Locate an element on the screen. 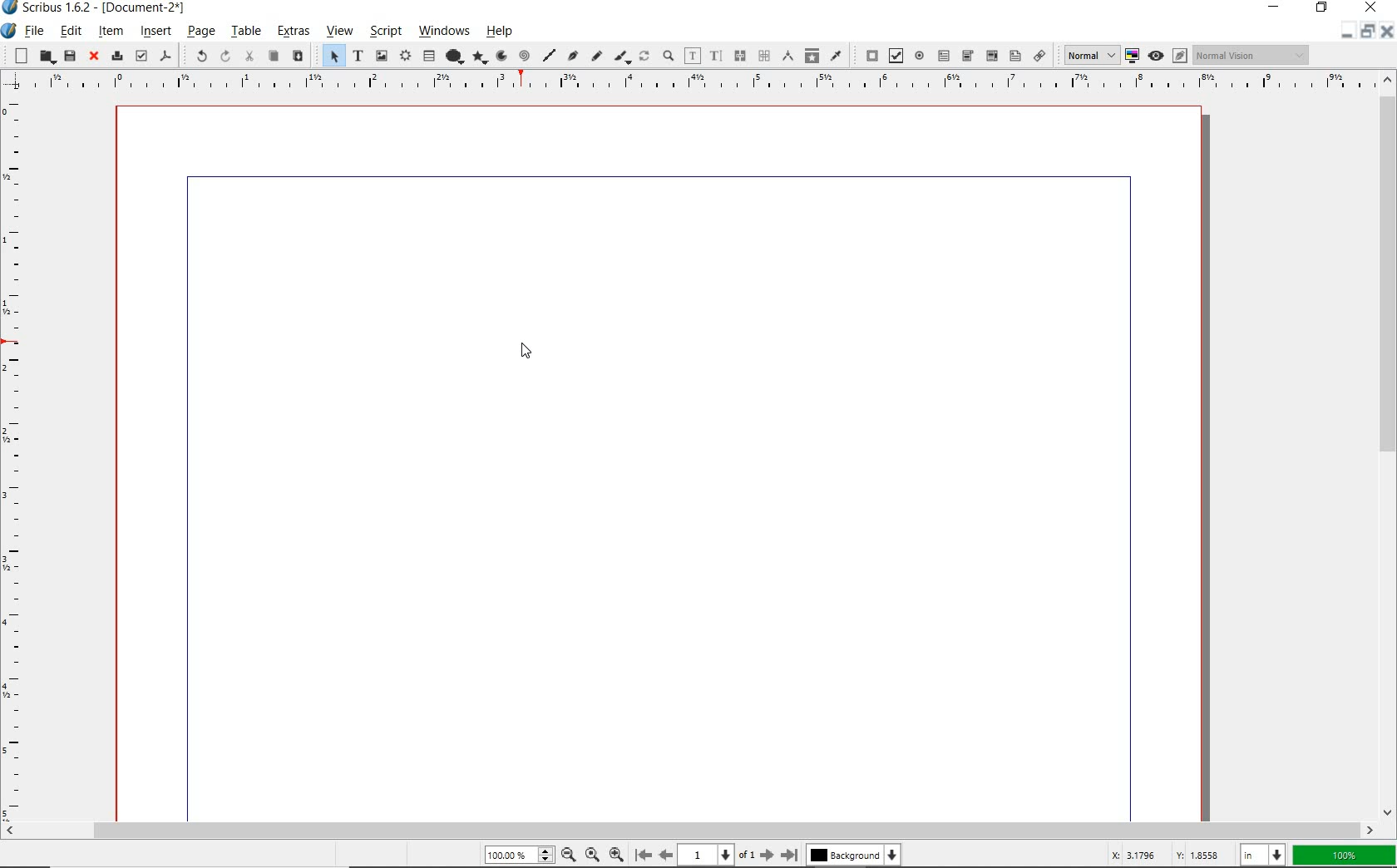 This screenshot has height=868, width=1397. spiral is located at coordinates (525, 53).